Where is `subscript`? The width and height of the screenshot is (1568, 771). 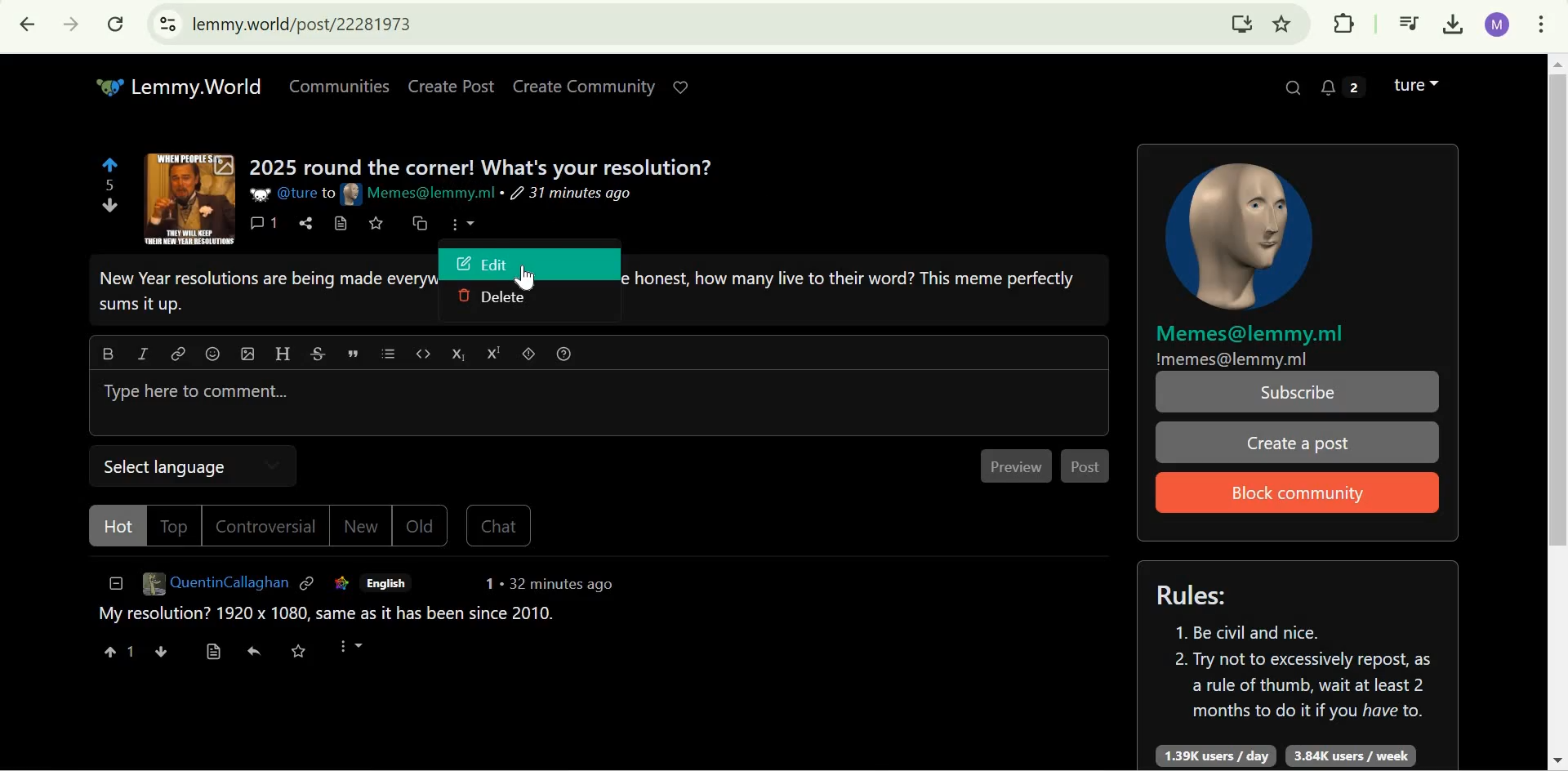 subscript is located at coordinates (460, 352).